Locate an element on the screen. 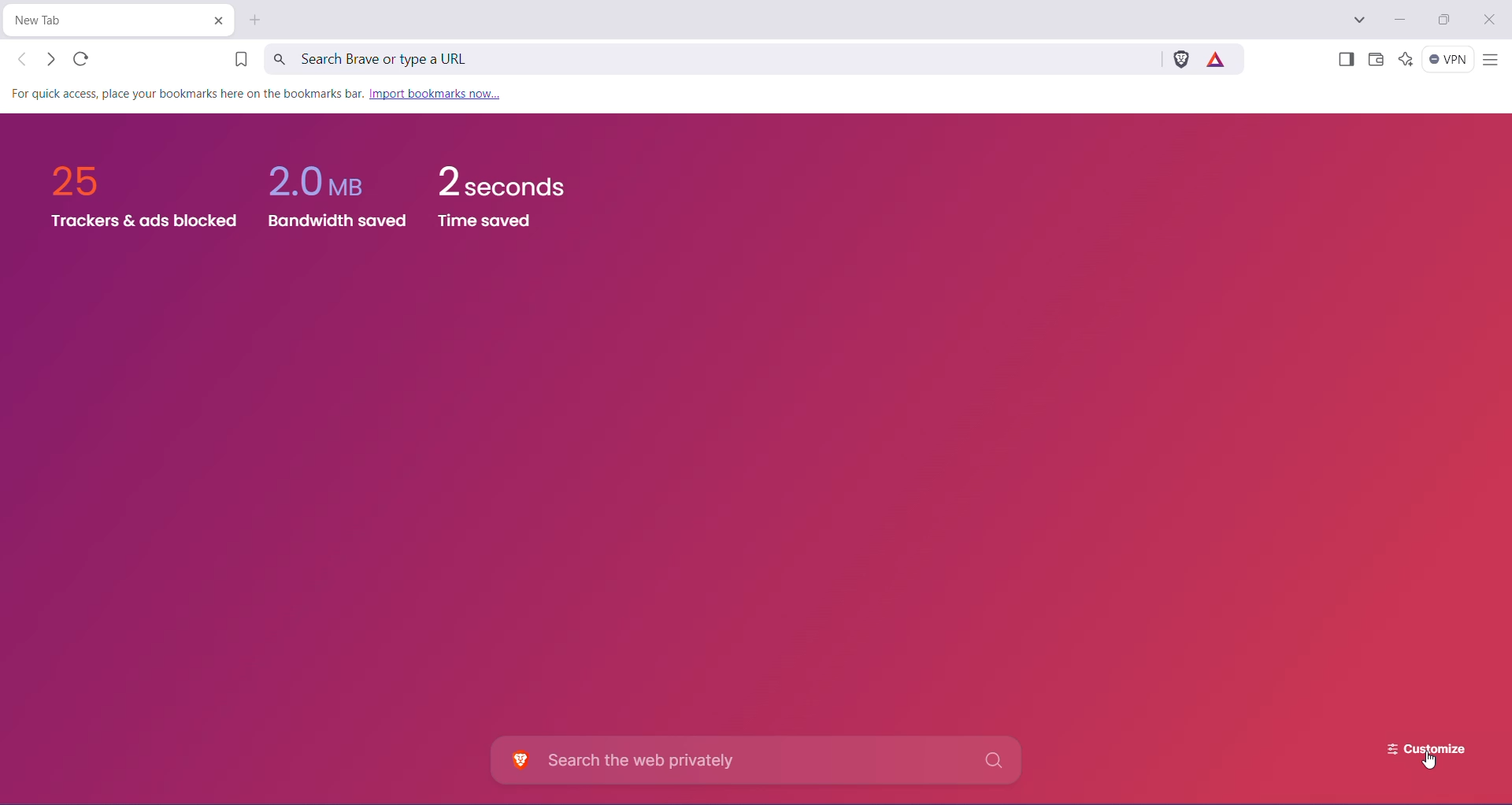 This screenshot has width=1512, height=805. Customize and control Brave is located at coordinates (1490, 61).